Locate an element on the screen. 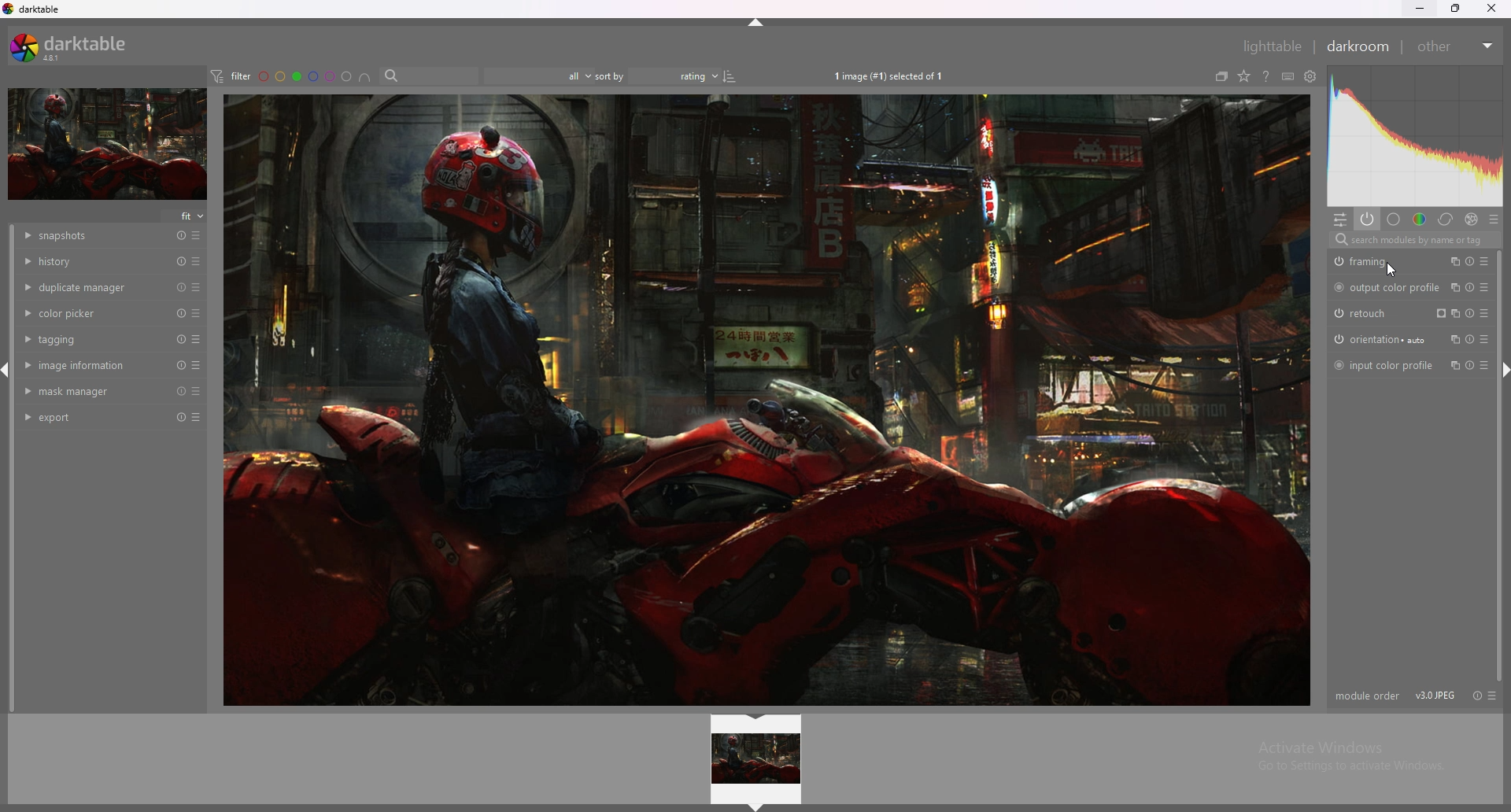  scroll bar is located at coordinates (14, 469).